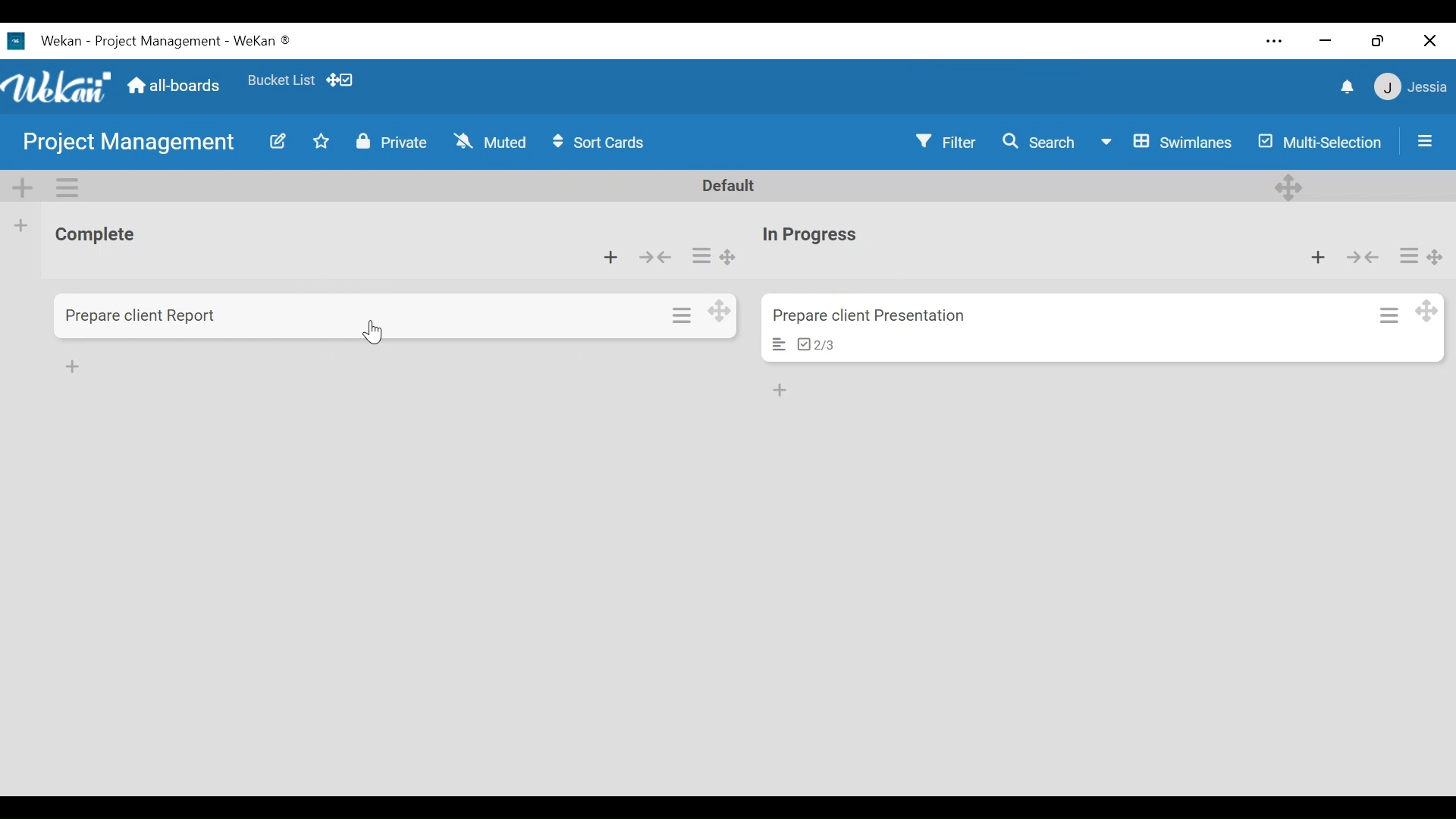 This screenshot has width=1456, height=819. I want to click on Desktop drag handle, so click(1436, 257).